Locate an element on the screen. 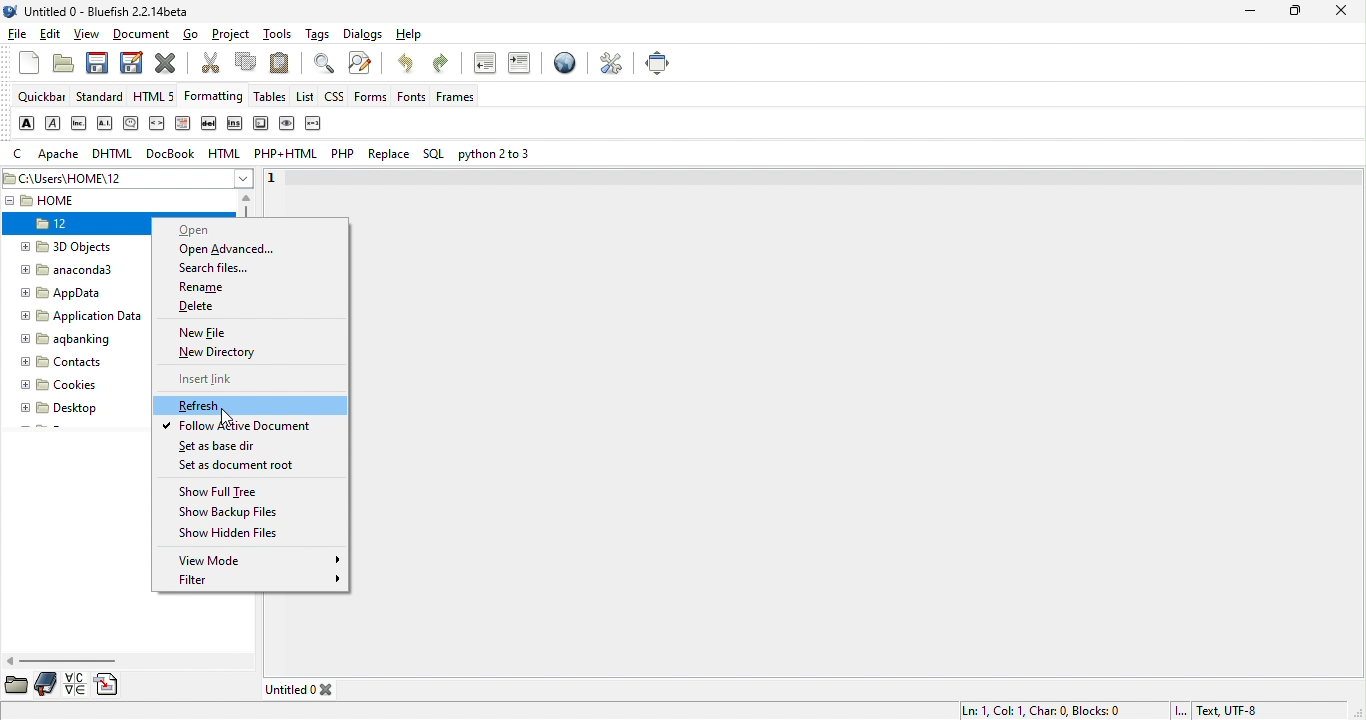  insert is located at coordinates (237, 126).